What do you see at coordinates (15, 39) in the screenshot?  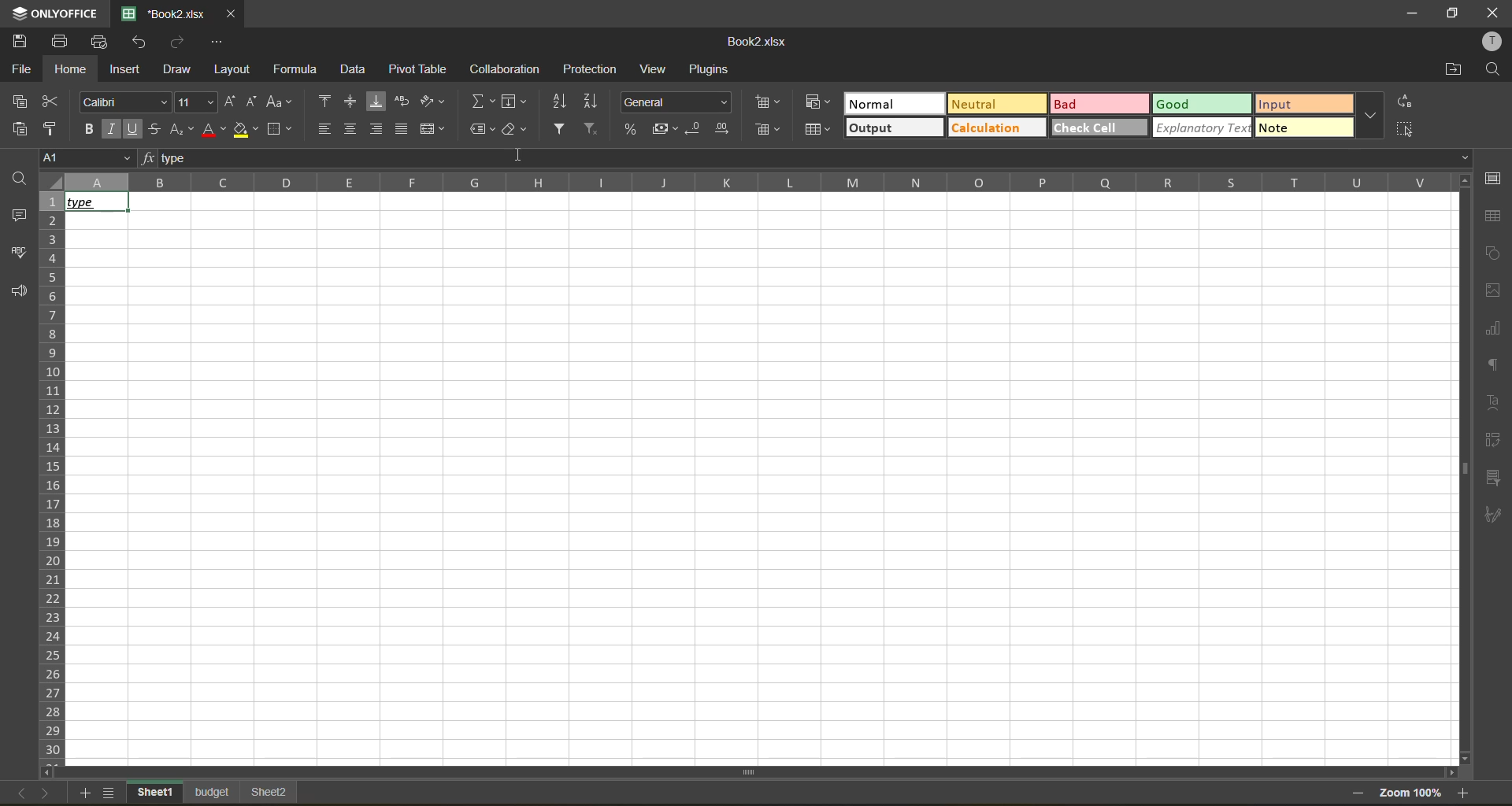 I see `save` at bounding box center [15, 39].